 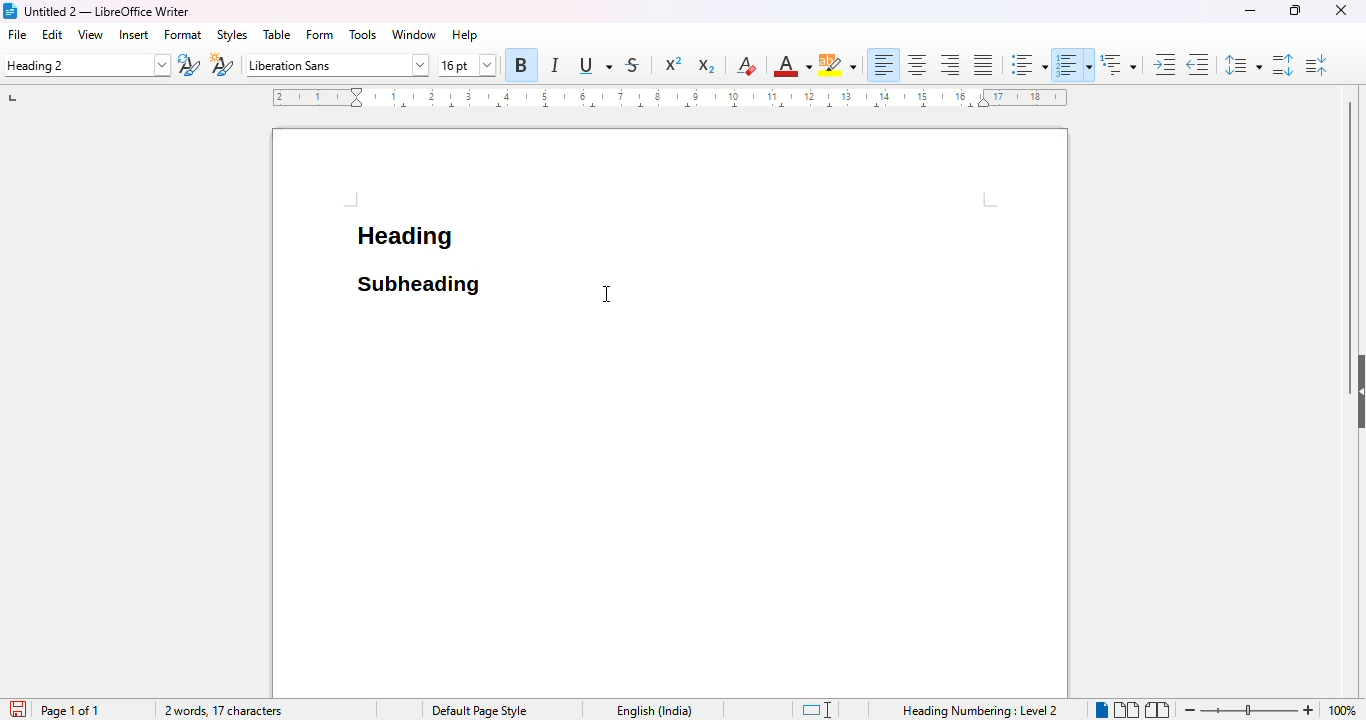 What do you see at coordinates (1248, 709) in the screenshot?
I see `zoom in or zoom out` at bounding box center [1248, 709].